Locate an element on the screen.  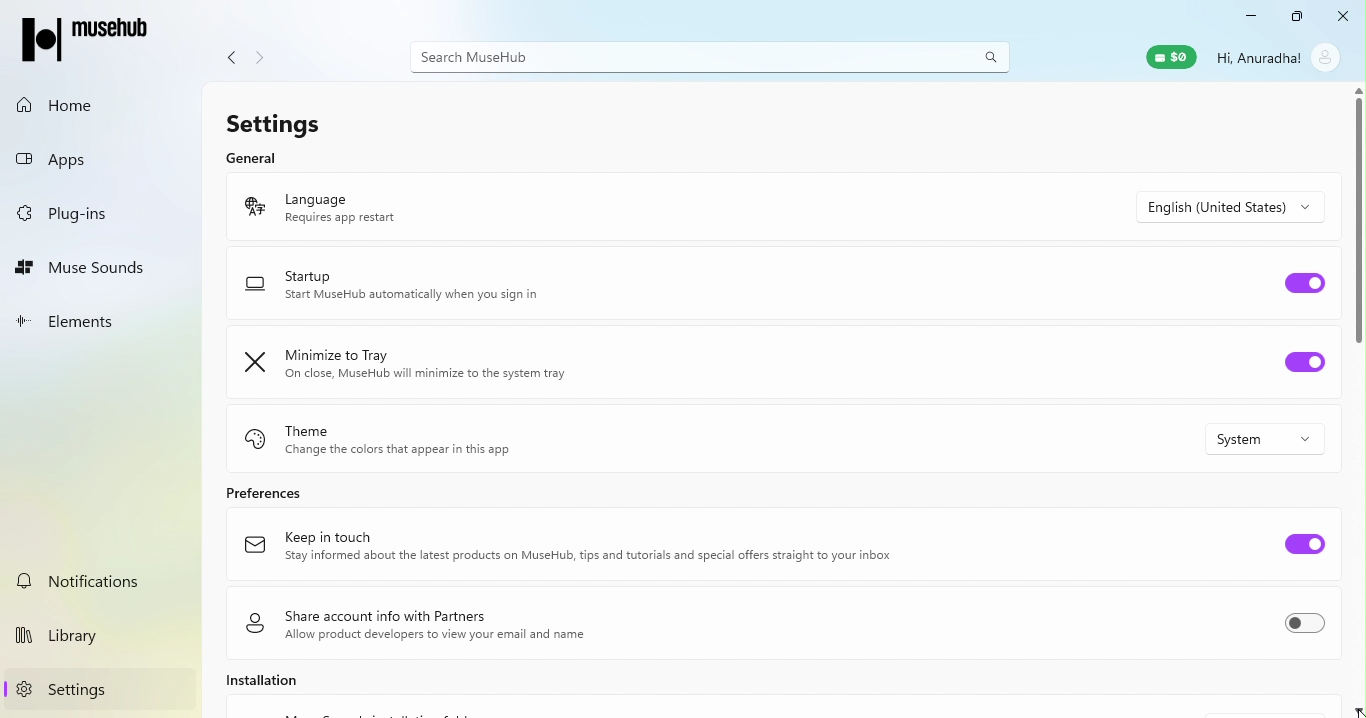
Settings is located at coordinates (278, 124).